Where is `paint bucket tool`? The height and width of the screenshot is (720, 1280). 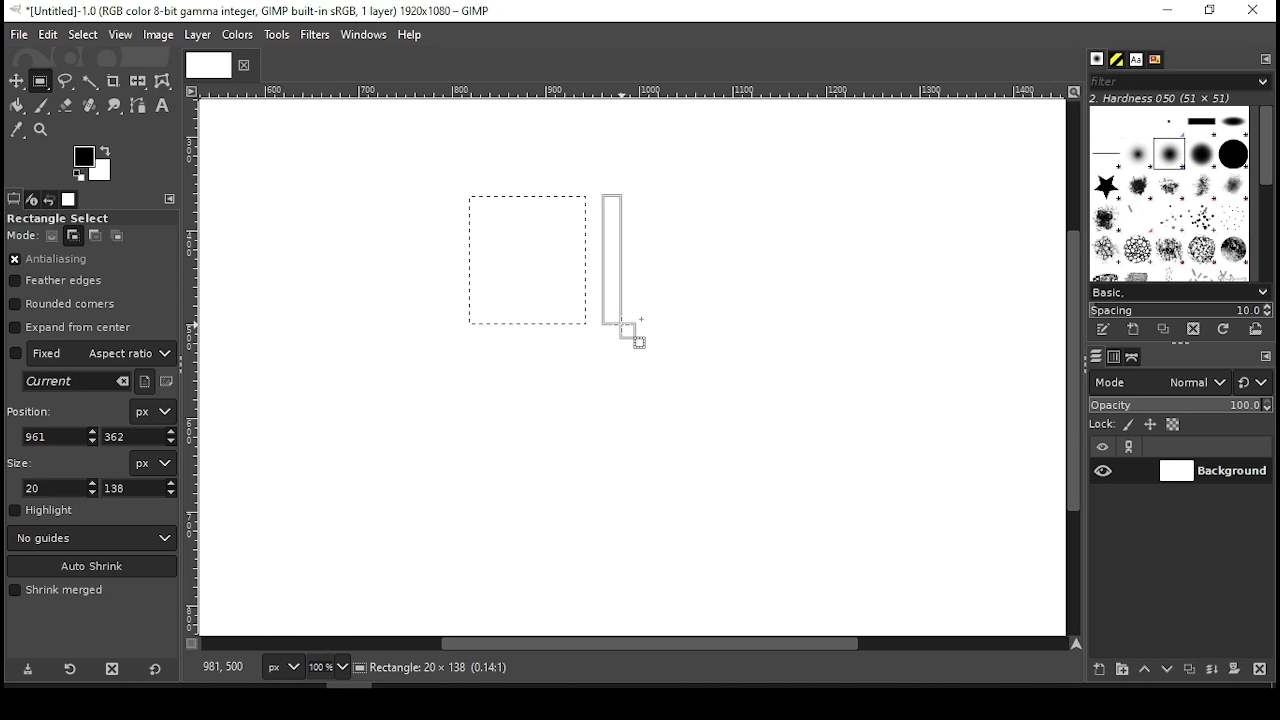
paint bucket tool is located at coordinates (18, 105).